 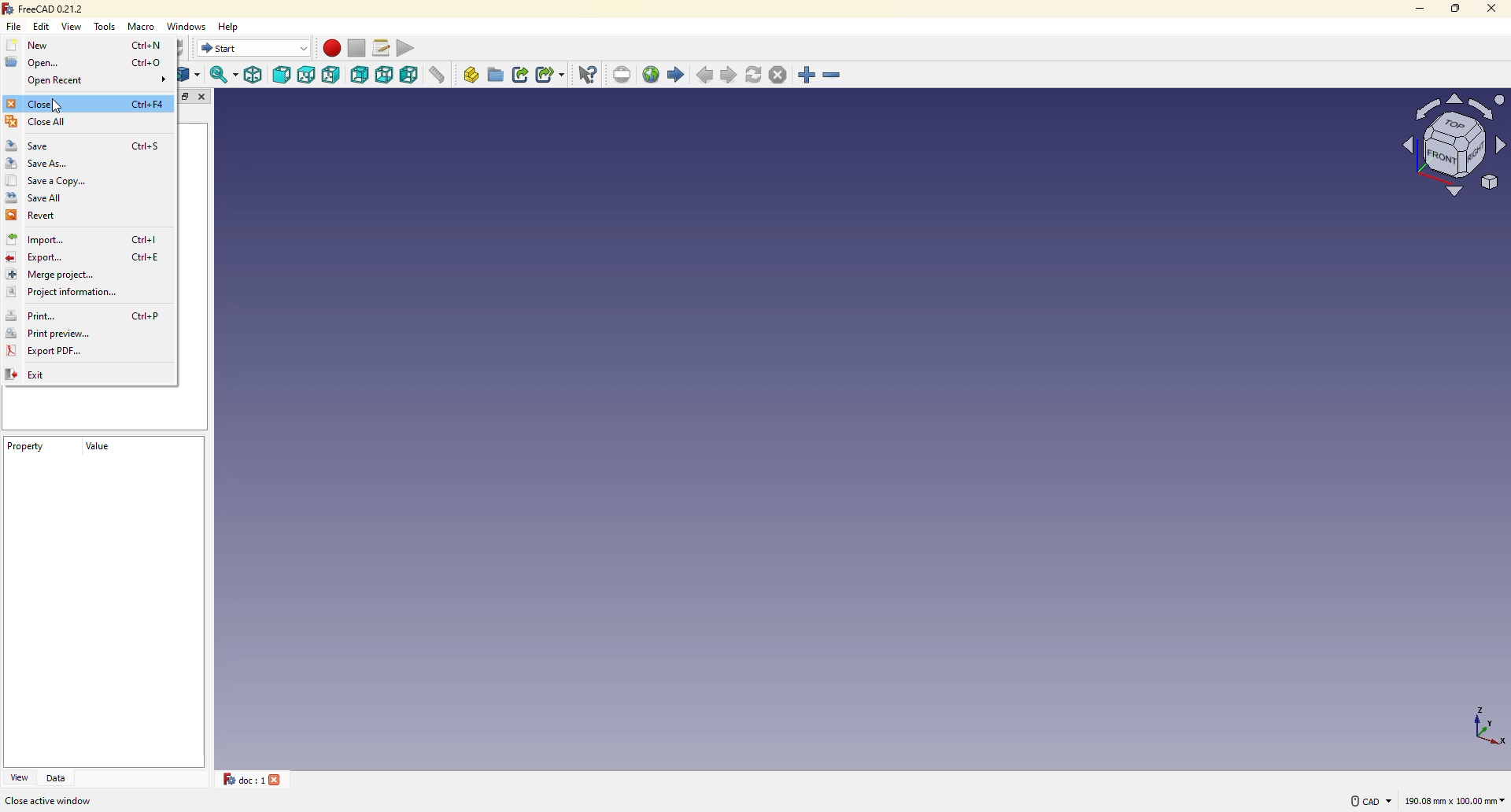 What do you see at coordinates (48, 335) in the screenshot?
I see `print preview` at bounding box center [48, 335].